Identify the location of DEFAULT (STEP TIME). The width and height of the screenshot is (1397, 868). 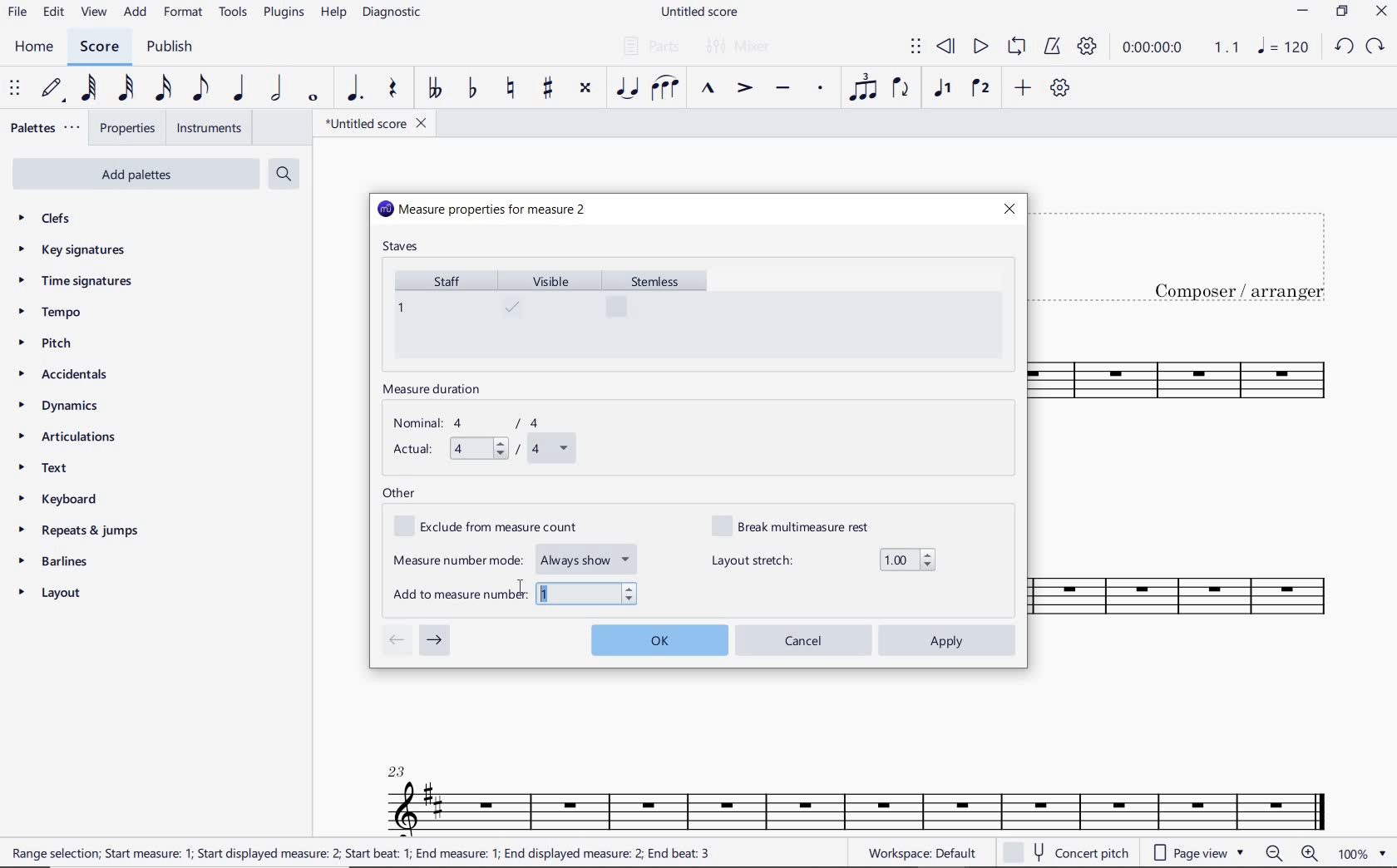
(54, 89).